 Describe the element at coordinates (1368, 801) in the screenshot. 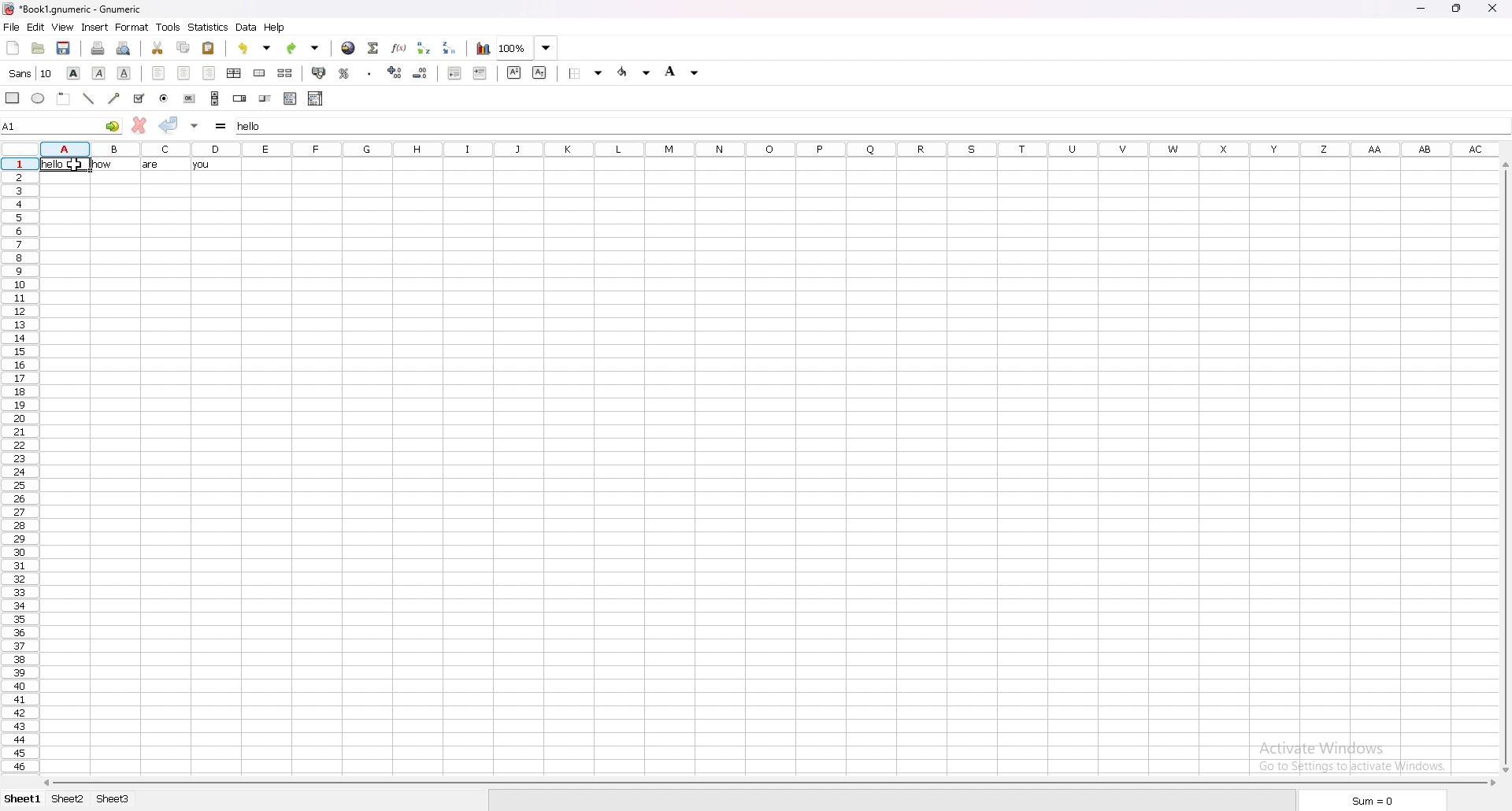

I see `sum` at that location.